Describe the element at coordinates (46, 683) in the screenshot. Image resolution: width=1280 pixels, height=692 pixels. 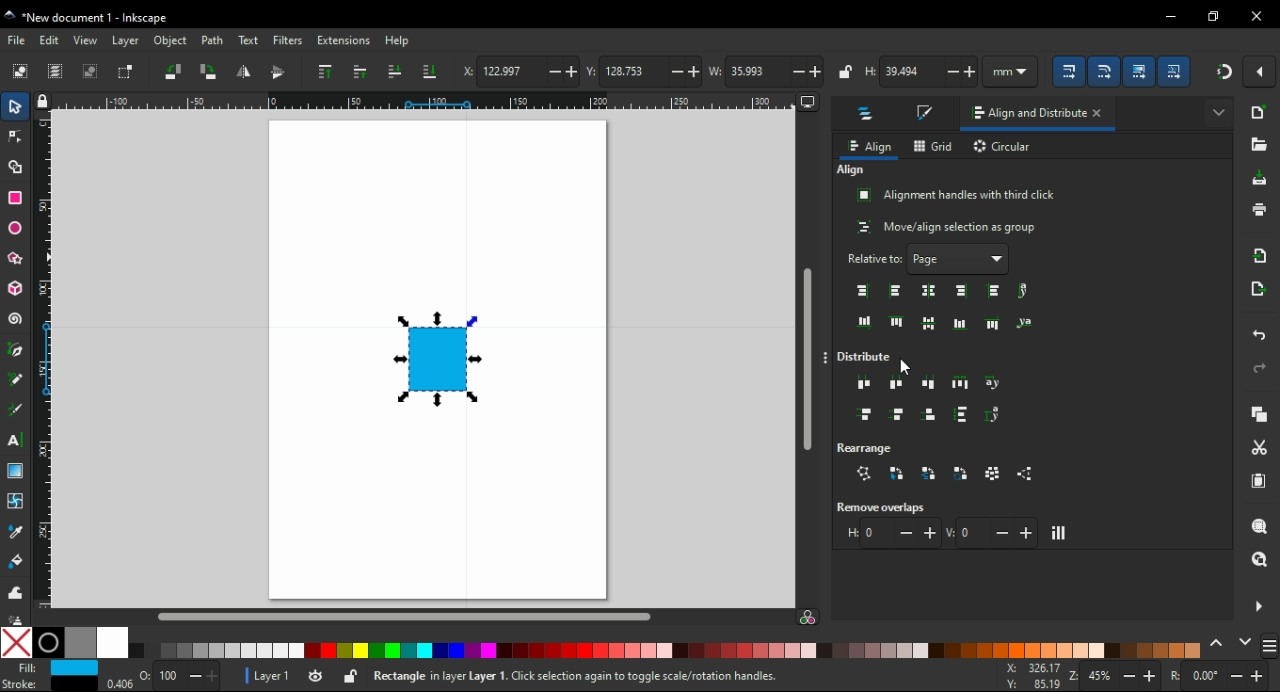
I see `stroke color` at that location.